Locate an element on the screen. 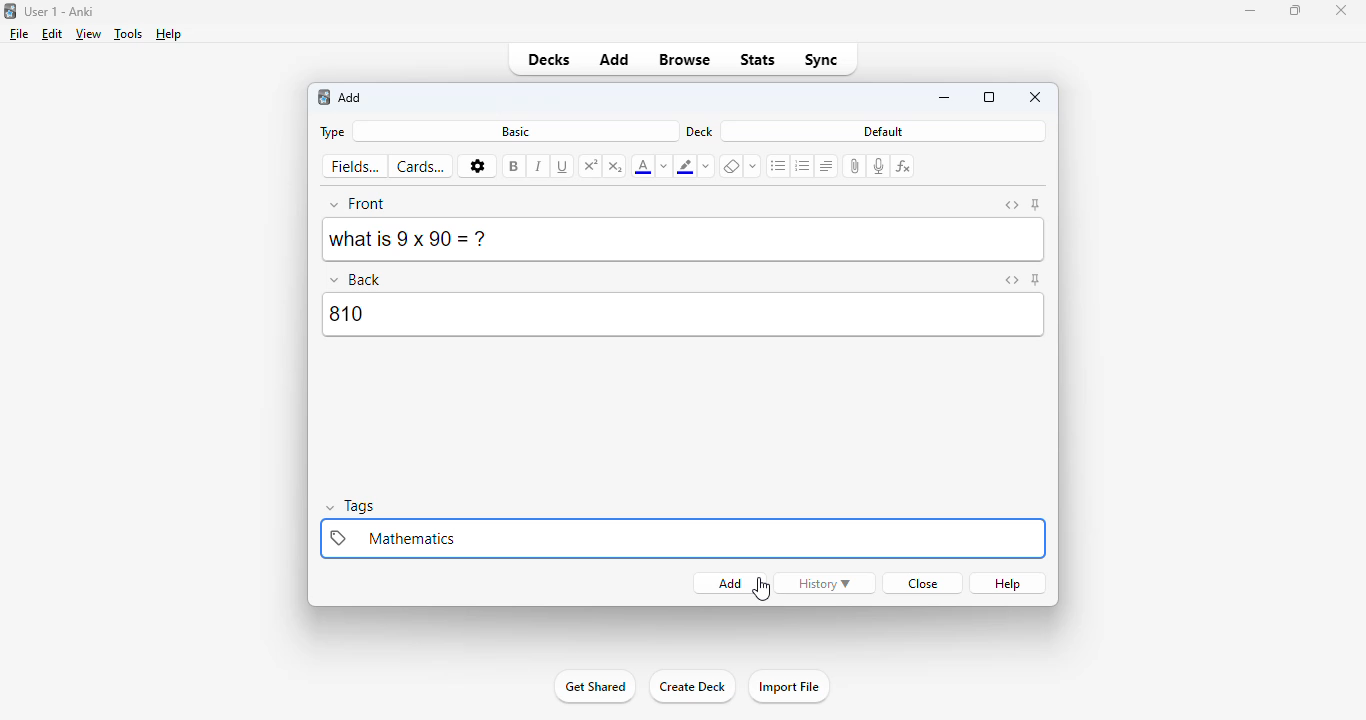 The width and height of the screenshot is (1366, 720). decks is located at coordinates (548, 59).